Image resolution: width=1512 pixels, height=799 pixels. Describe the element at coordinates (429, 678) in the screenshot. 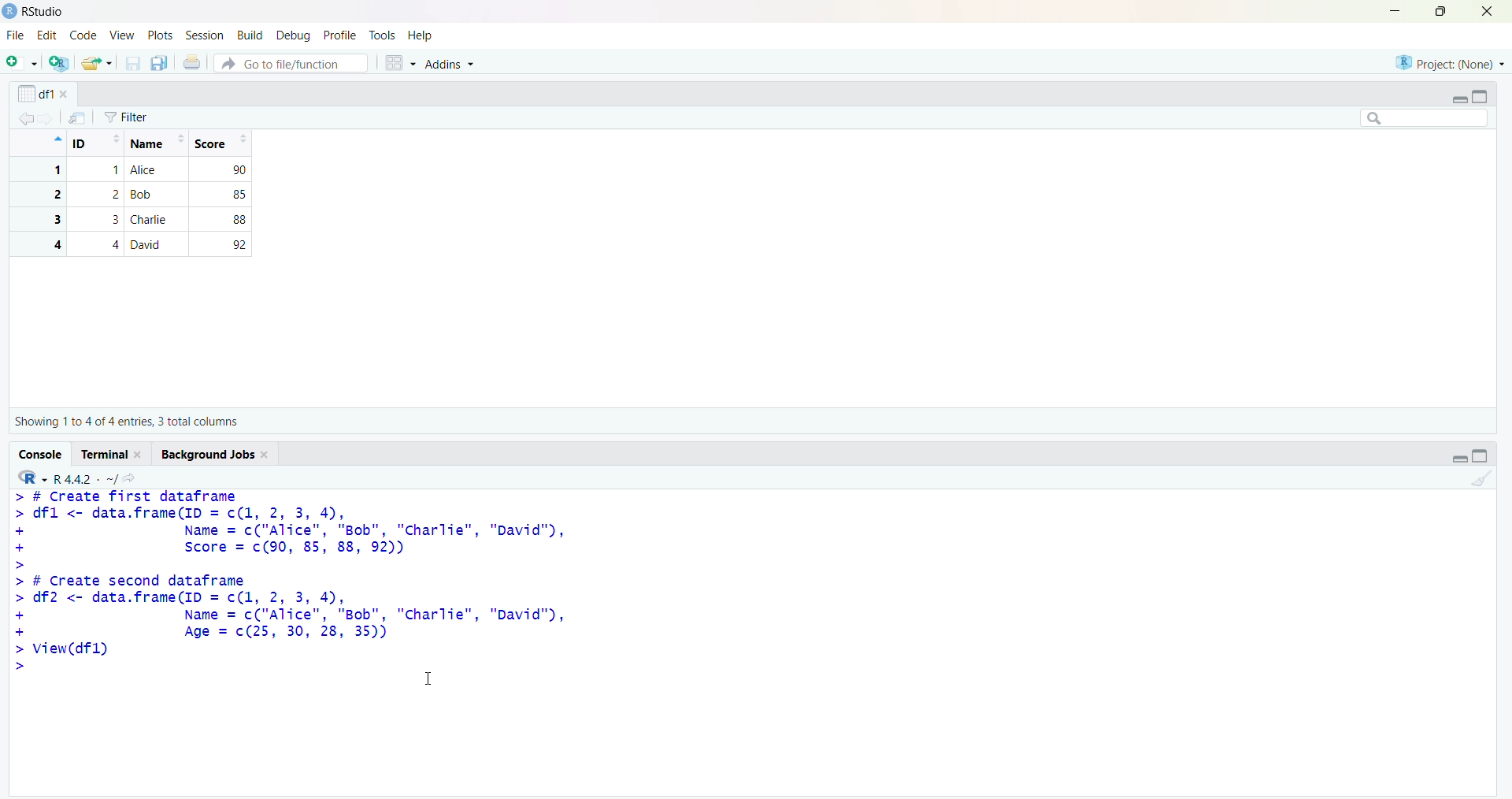

I see `cursor` at that location.